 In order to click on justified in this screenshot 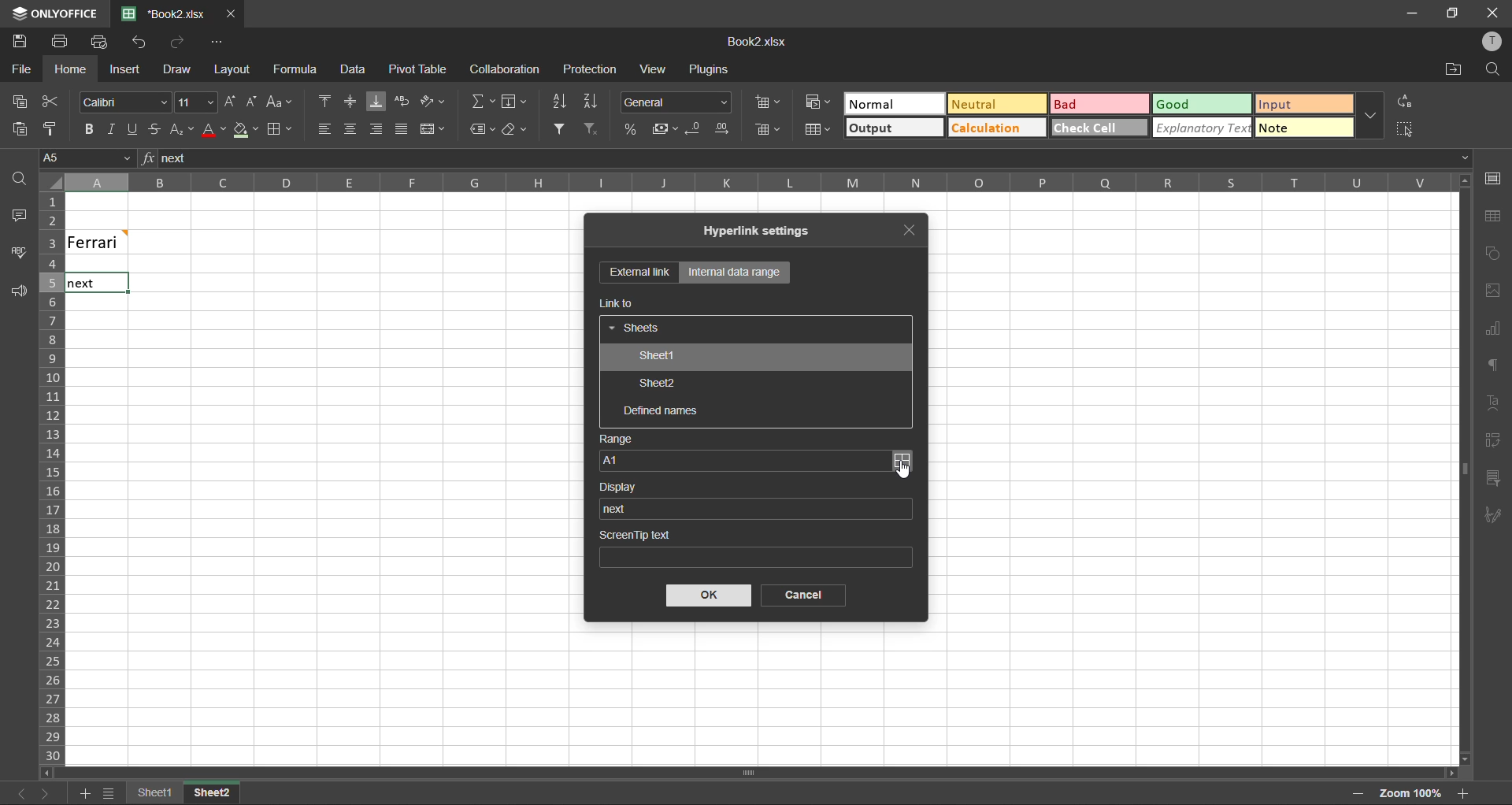, I will do `click(402, 129)`.